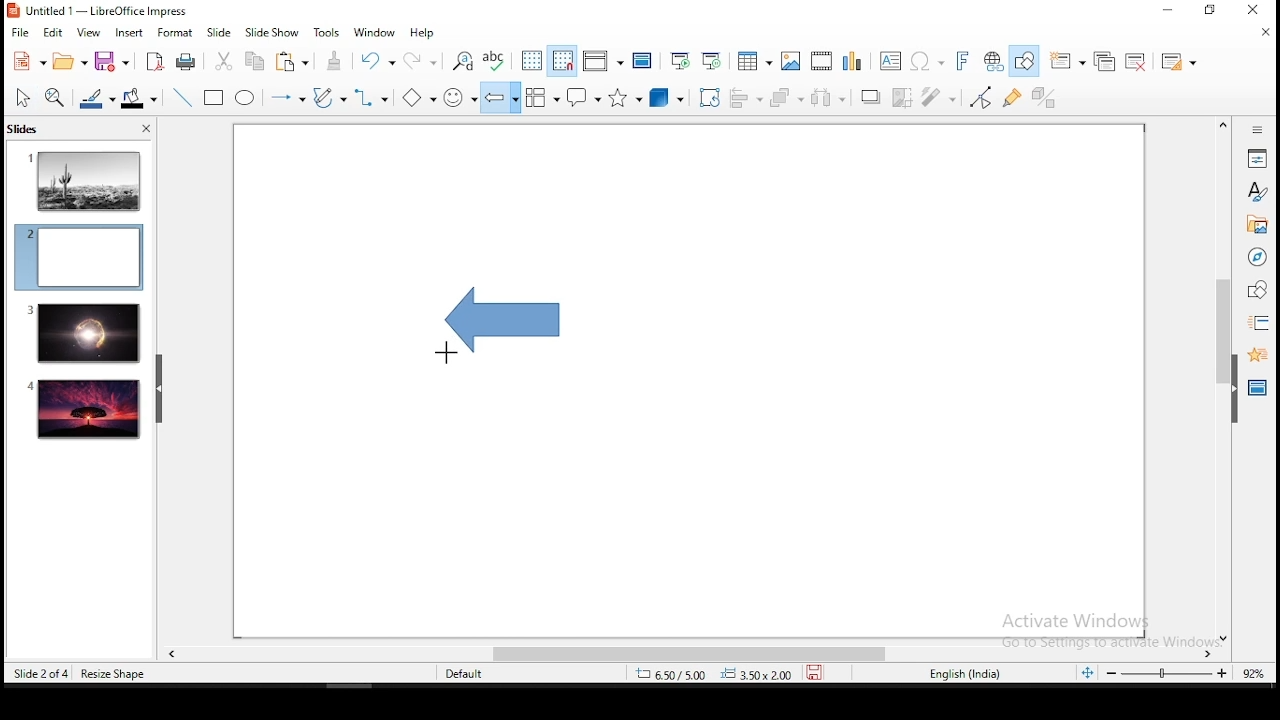 Image resolution: width=1280 pixels, height=720 pixels. What do you see at coordinates (1255, 129) in the screenshot?
I see `` at bounding box center [1255, 129].